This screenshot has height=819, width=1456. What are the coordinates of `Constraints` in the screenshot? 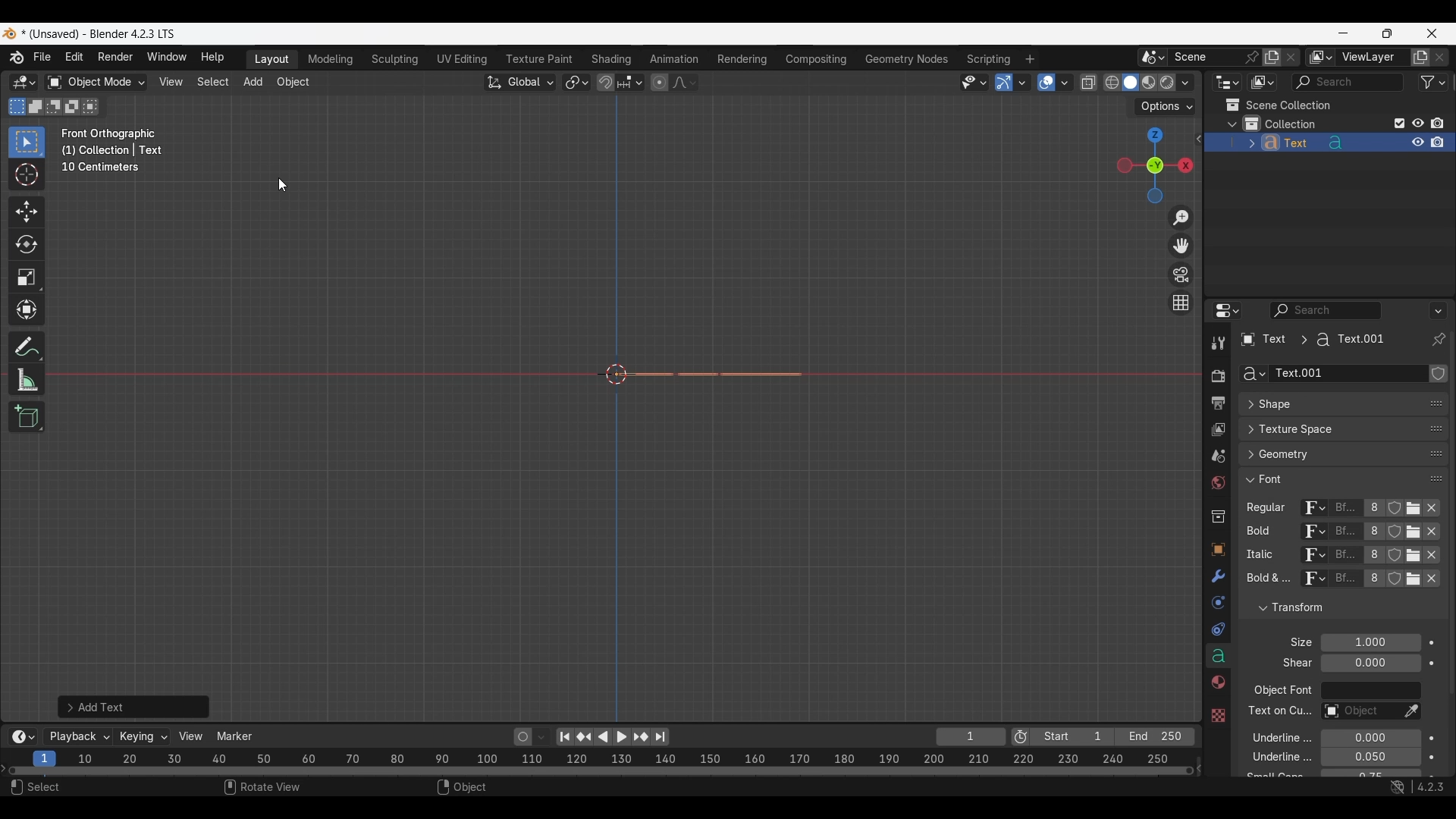 It's located at (1218, 630).